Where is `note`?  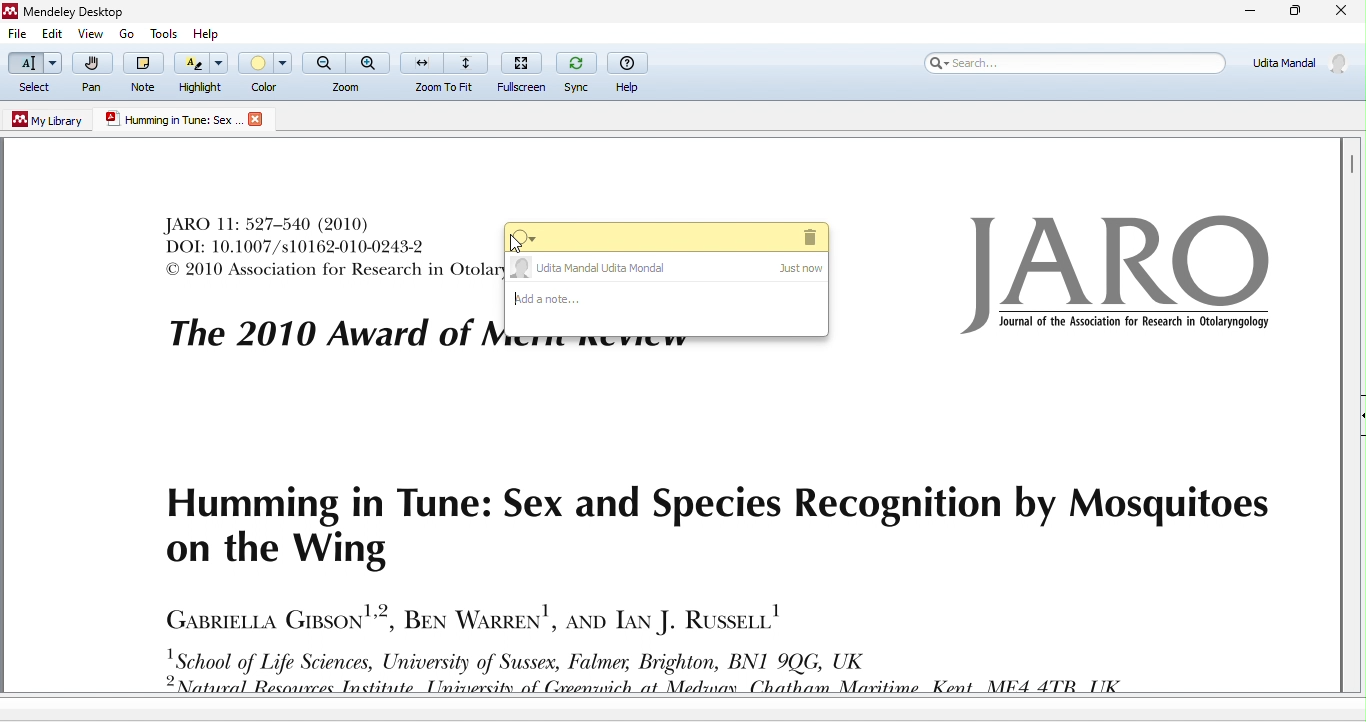
note is located at coordinates (145, 72).